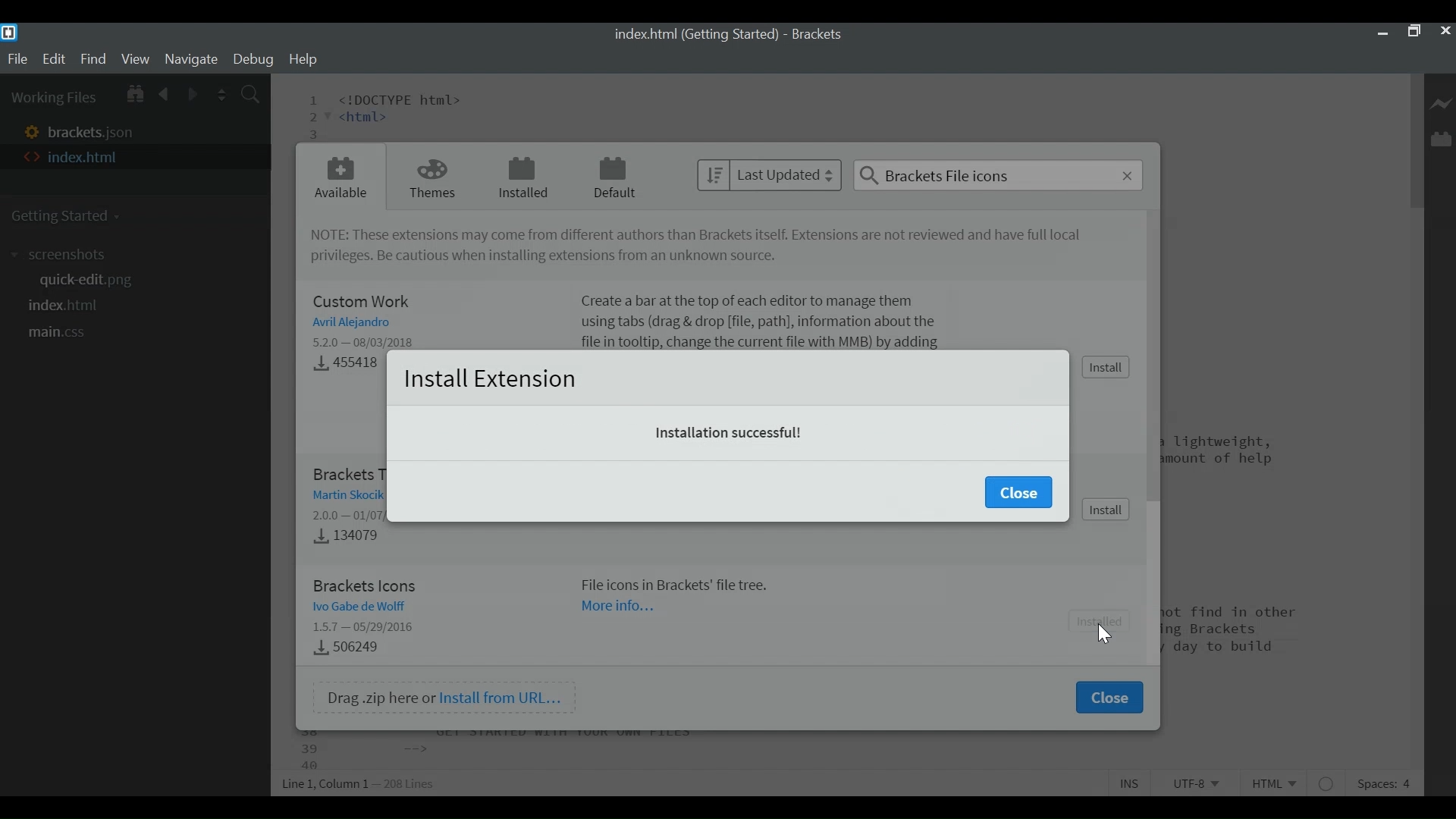  What do you see at coordinates (66, 306) in the screenshot?
I see `index.html` at bounding box center [66, 306].